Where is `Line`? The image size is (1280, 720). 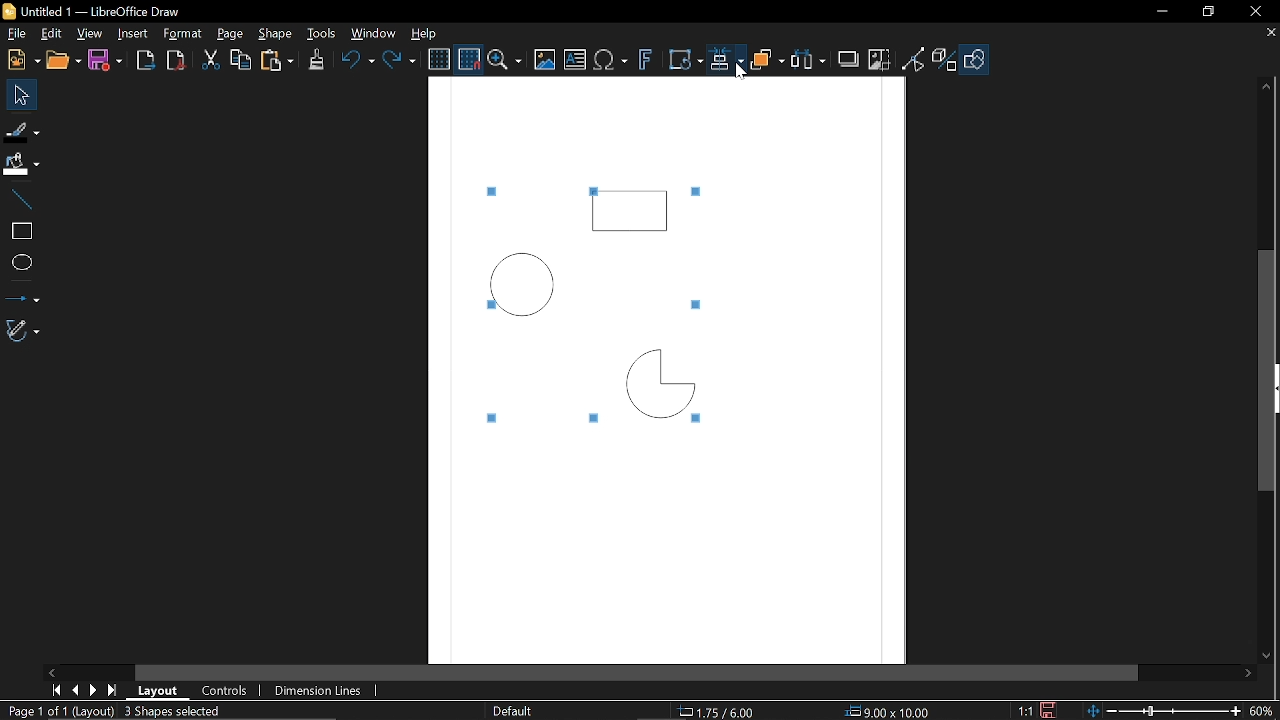
Line is located at coordinates (17, 194).